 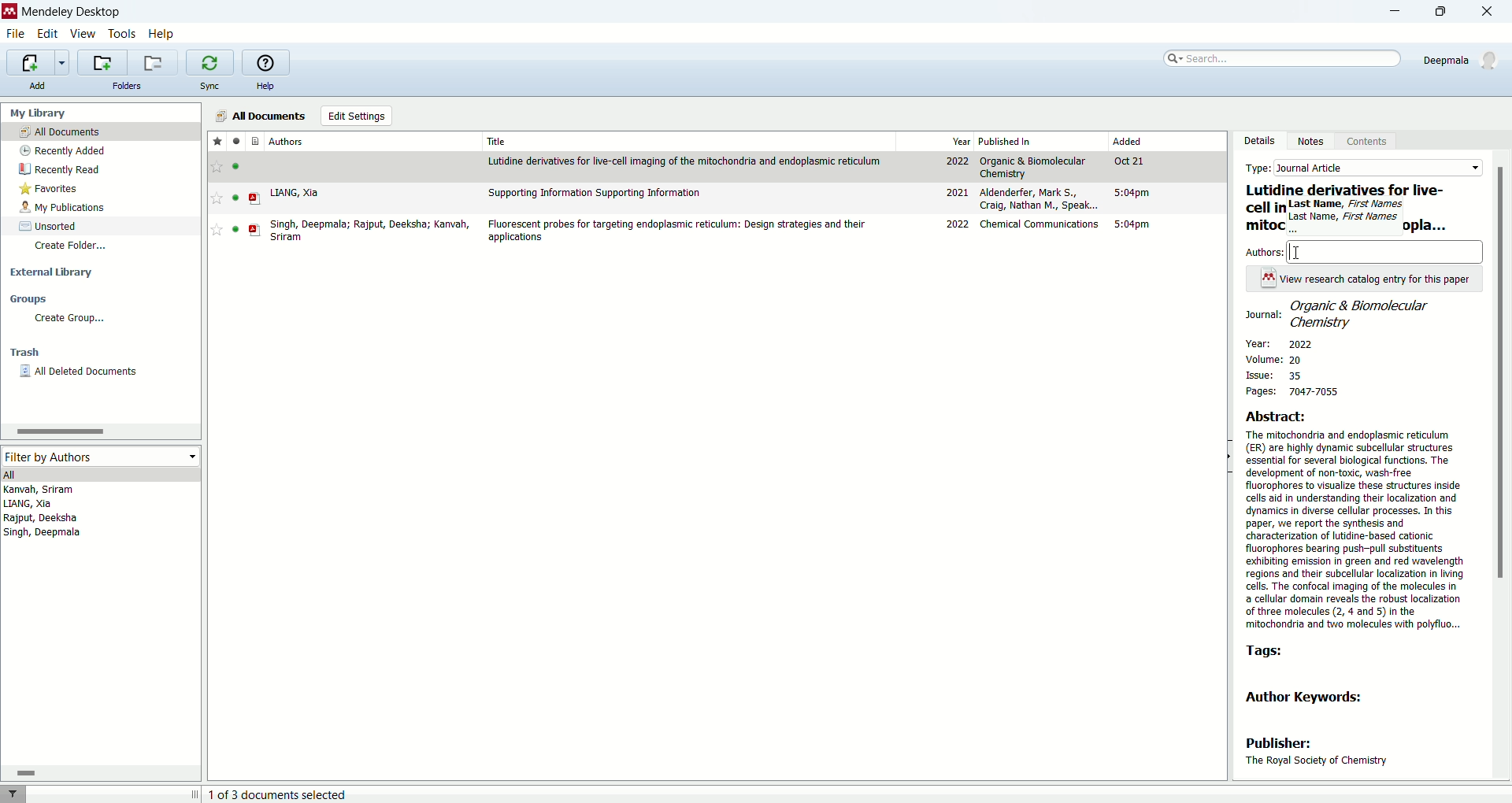 What do you see at coordinates (102, 773) in the screenshot?
I see `horizontal scroll bar` at bounding box center [102, 773].